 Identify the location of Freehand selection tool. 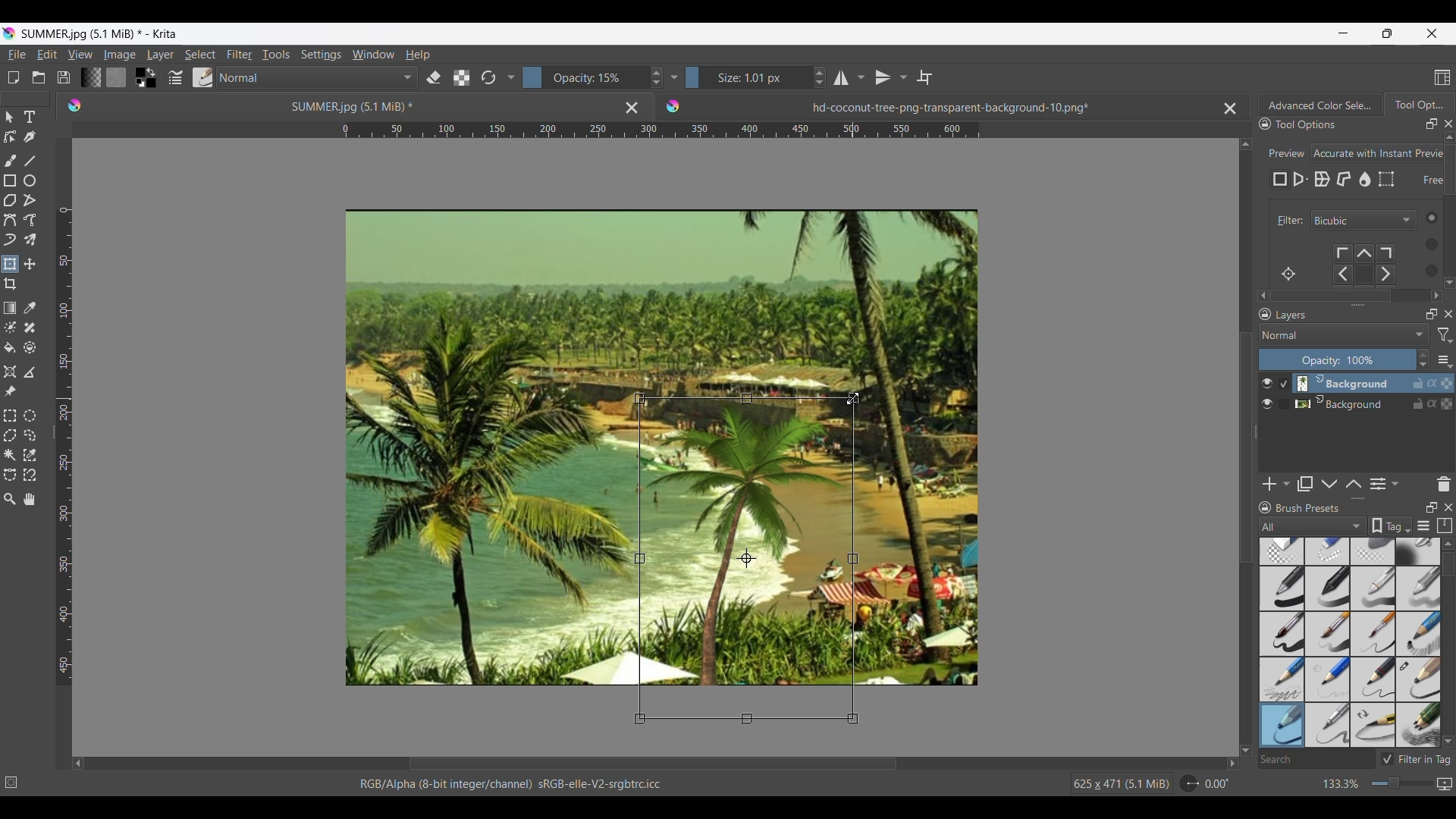
(29, 435).